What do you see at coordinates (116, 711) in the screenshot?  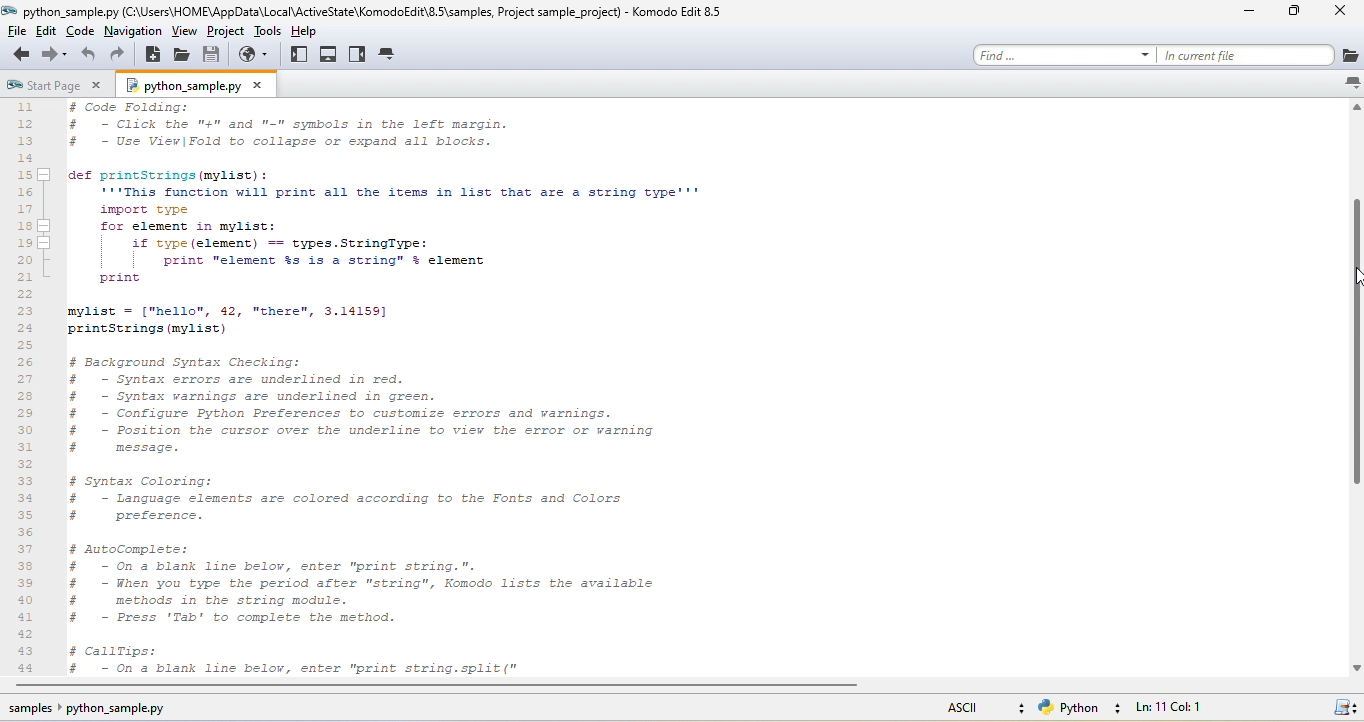 I see `sample python` at bounding box center [116, 711].